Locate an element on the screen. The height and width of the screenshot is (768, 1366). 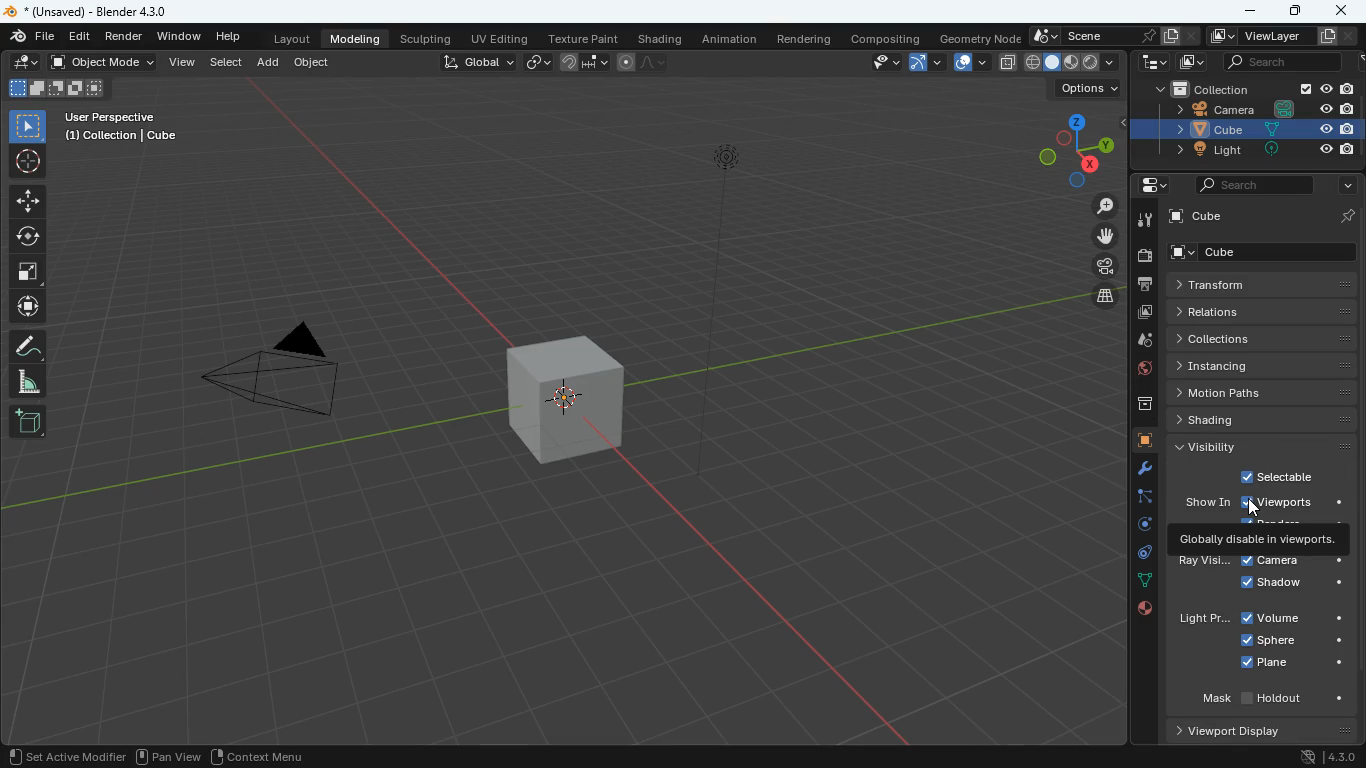
move is located at coordinates (26, 306).